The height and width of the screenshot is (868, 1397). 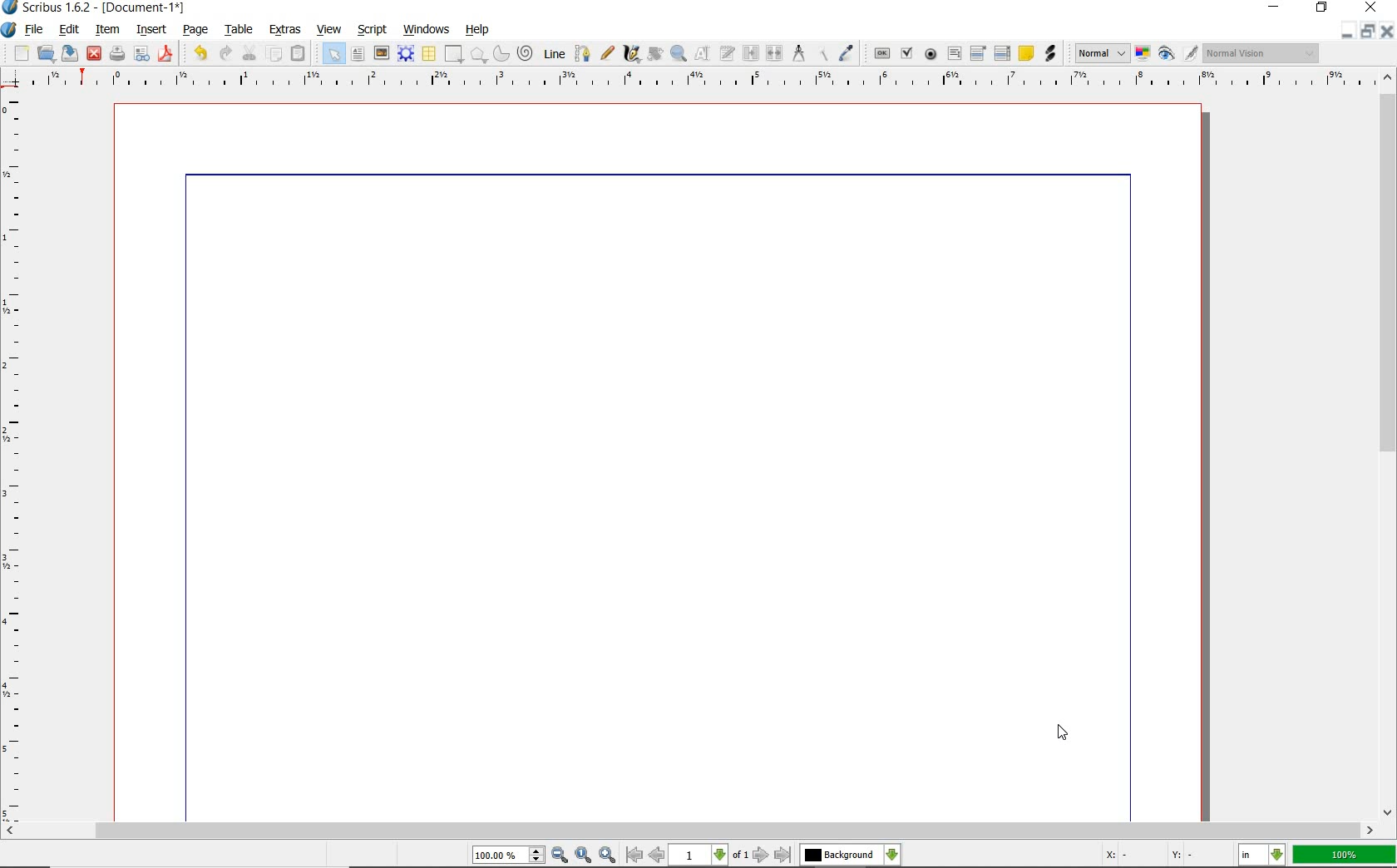 What do you see at coordinates (406, 54) in the screenshot?
I see `render frame` at bounding box center [406, 54].